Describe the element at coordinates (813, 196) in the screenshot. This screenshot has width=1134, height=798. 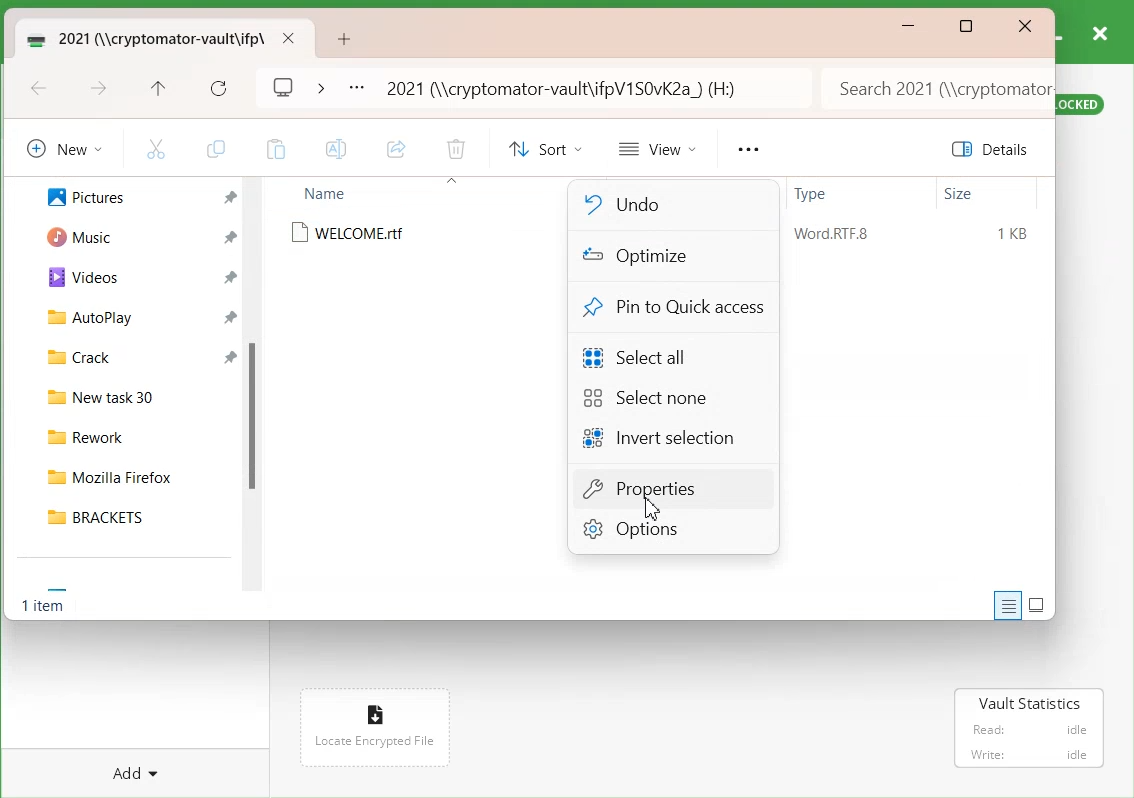
I see `Type` at that location.